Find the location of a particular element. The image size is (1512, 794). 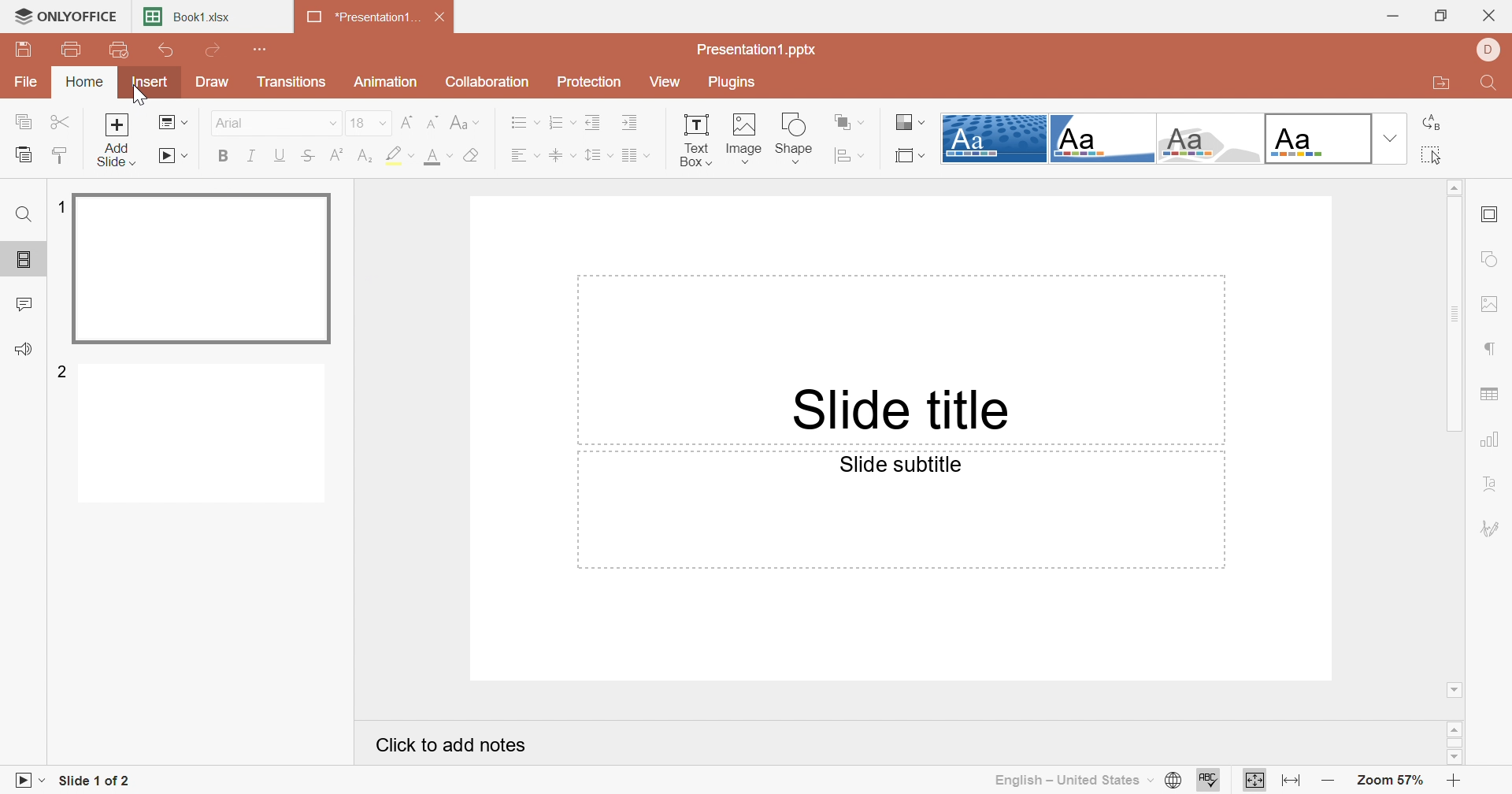

Underline is located at coordinates (280, 156).